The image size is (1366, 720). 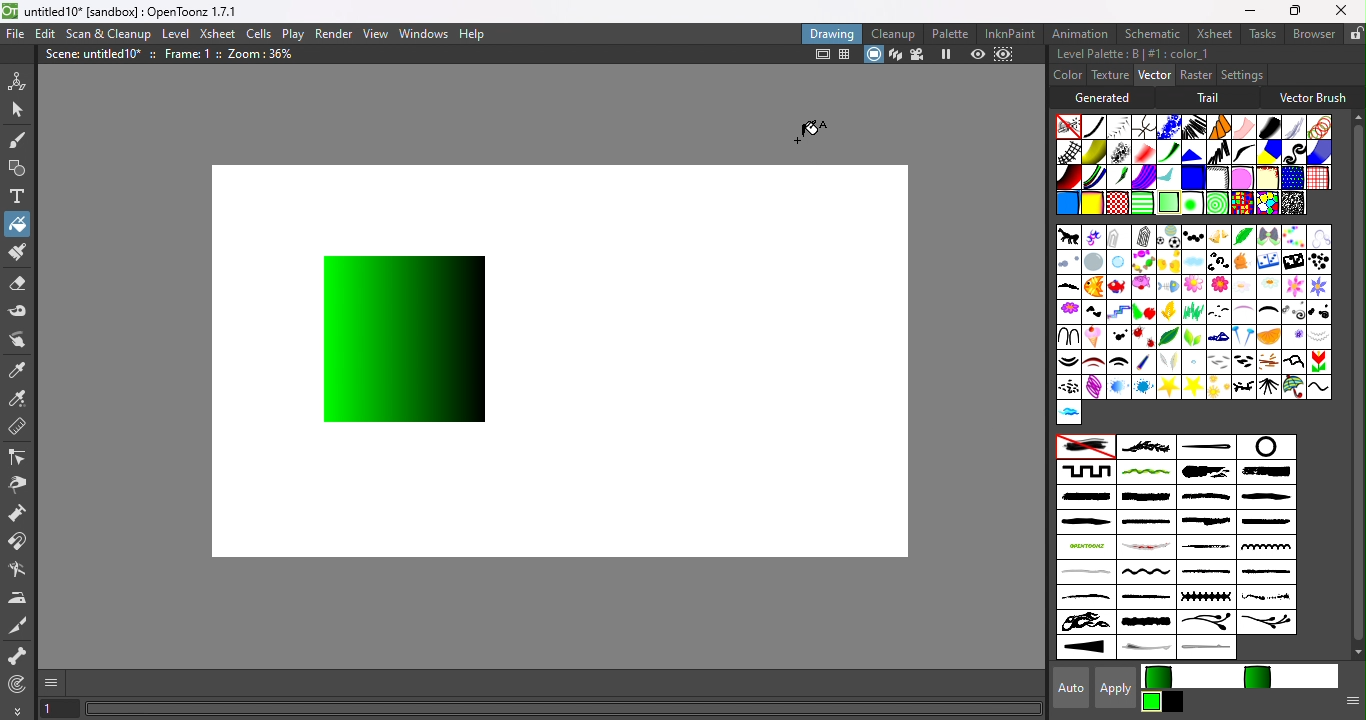 What do you see at coordinates (22, 139) in the screenshot?
I see `Brush tool` at bounding box center [22, 139].